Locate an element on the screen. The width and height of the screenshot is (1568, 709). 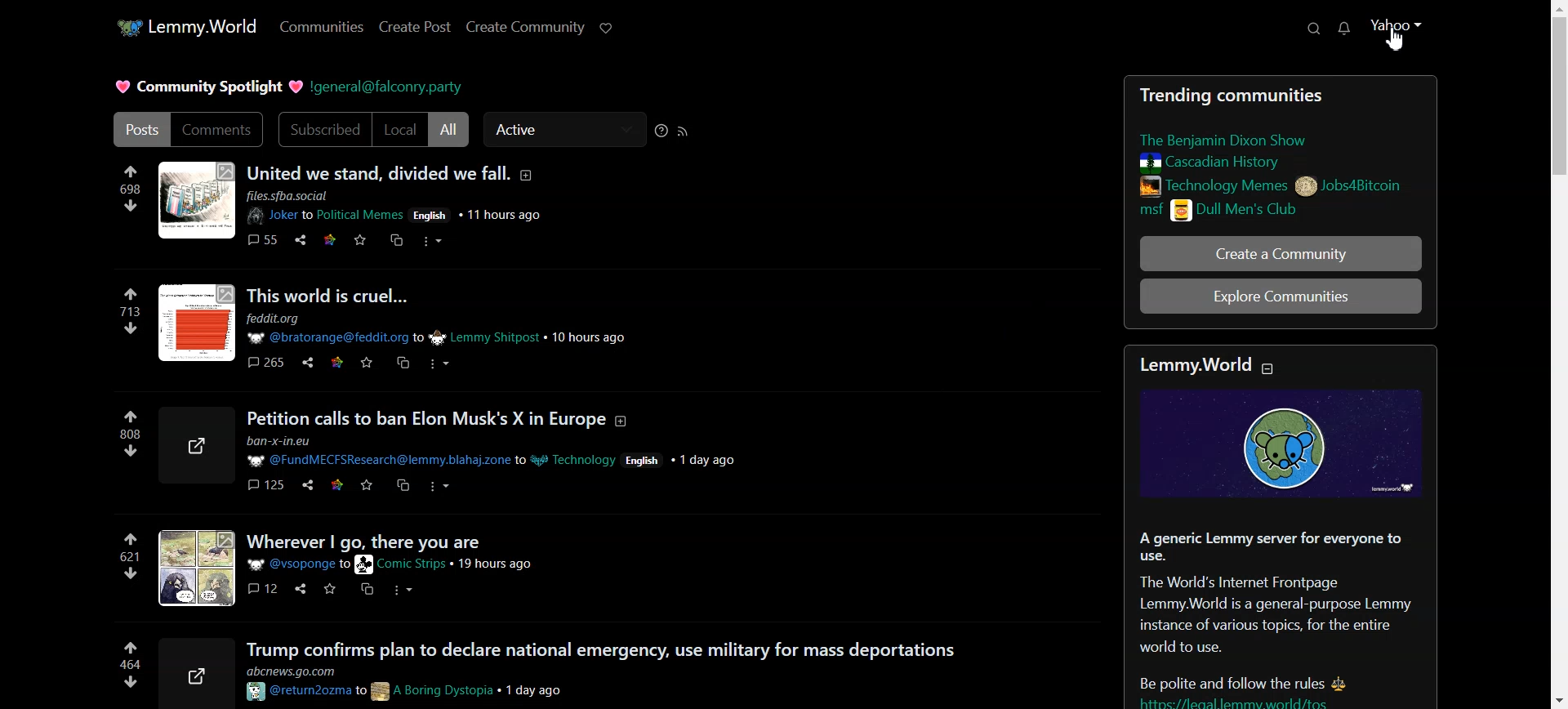
P @bratorange@feddit.org to is located at coordinates (336, 340).